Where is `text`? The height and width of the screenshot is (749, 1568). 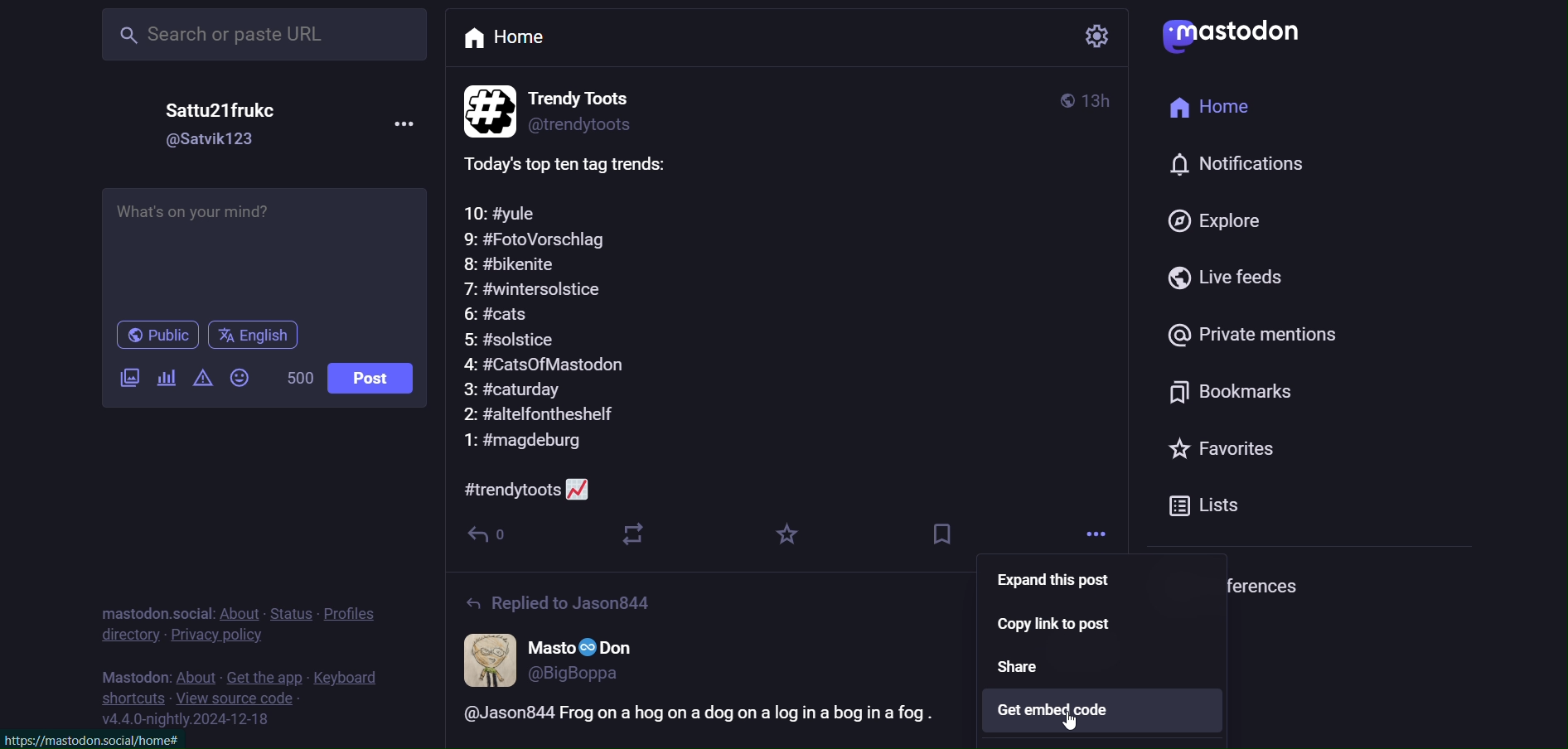 text is located at coordinates (127, 673).